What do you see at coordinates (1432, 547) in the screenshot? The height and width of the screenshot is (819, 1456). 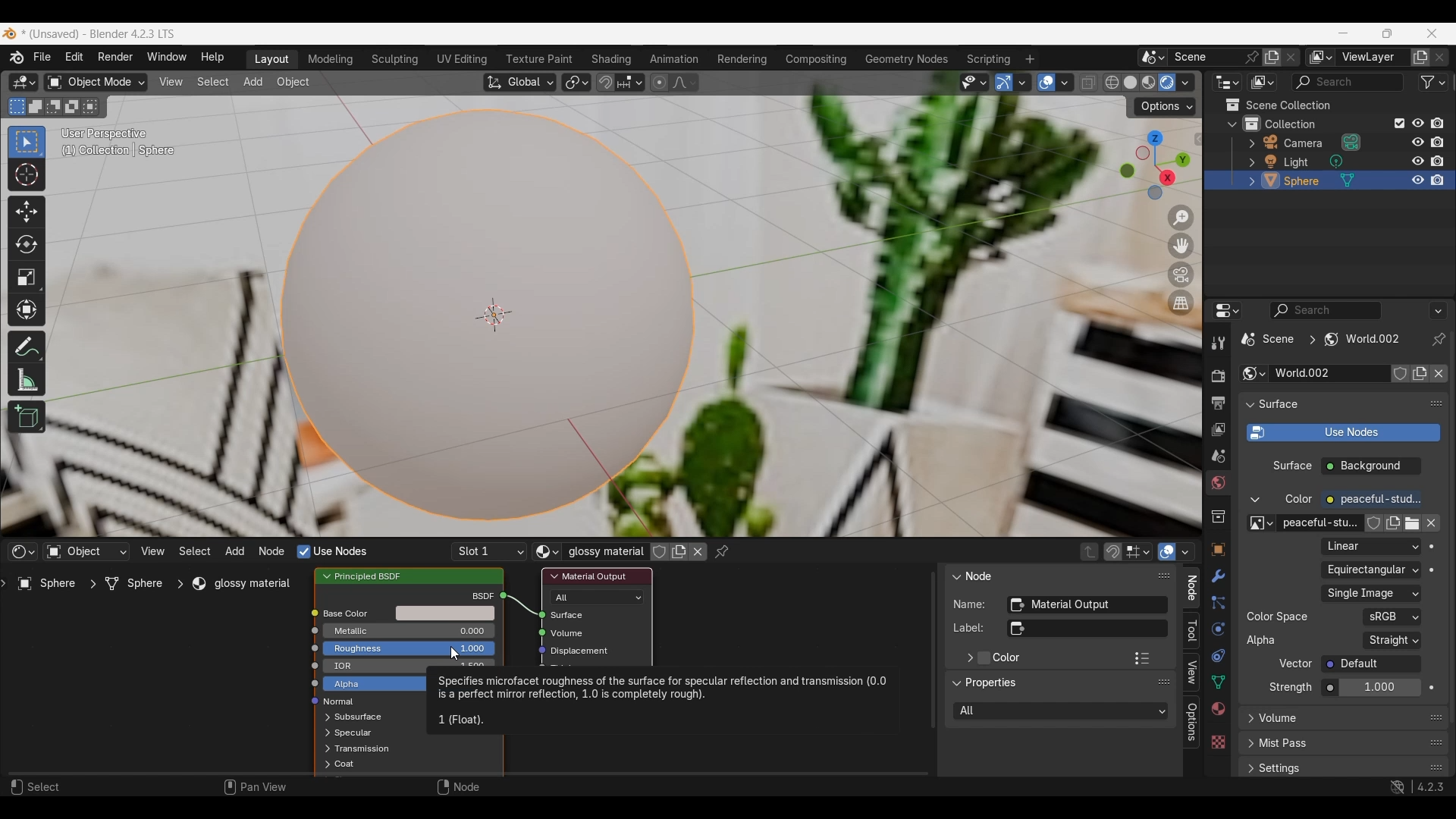 I see `Animate property` at bounding box center [1432, 547].